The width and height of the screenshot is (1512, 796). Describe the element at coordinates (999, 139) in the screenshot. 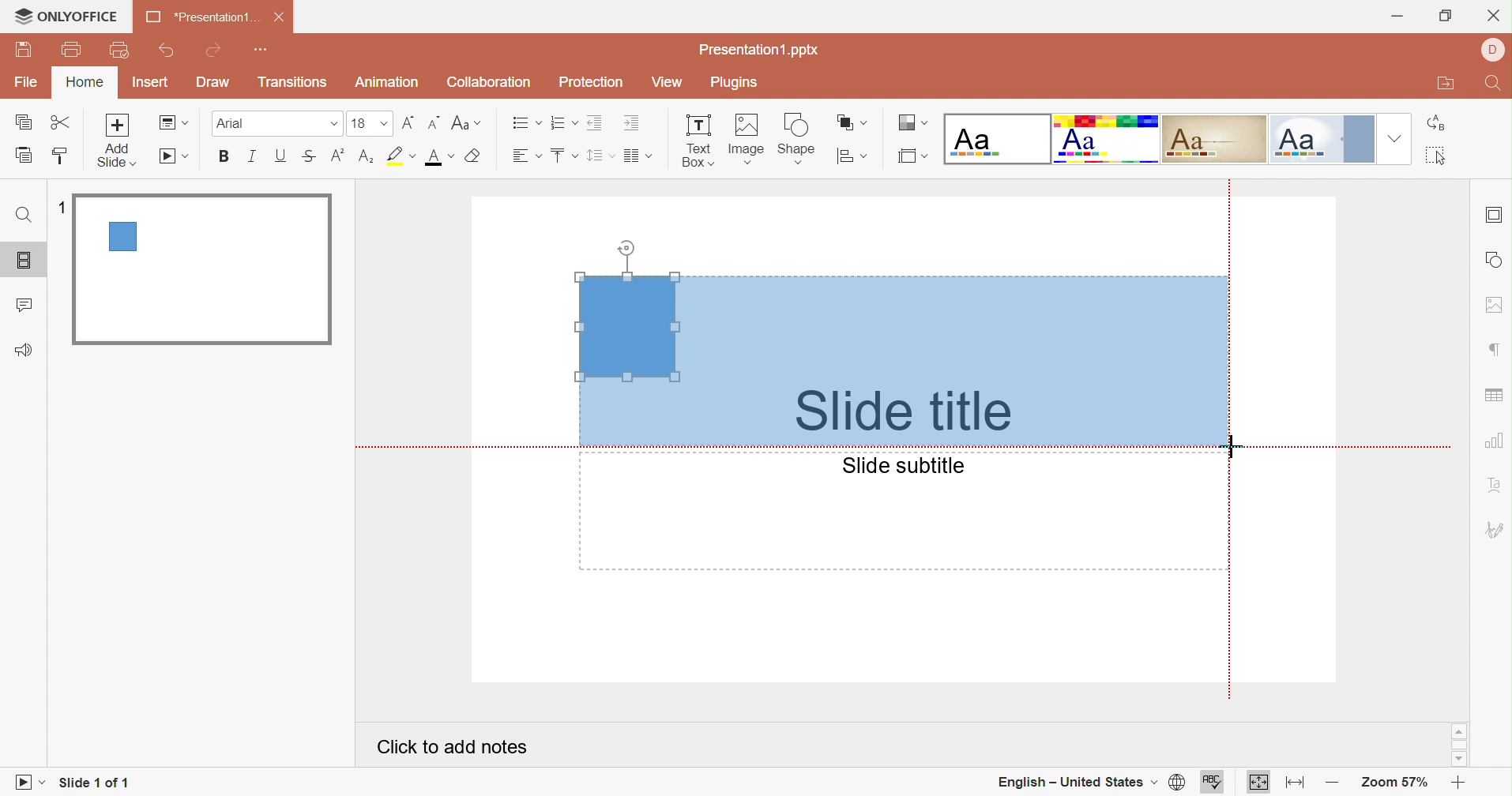

I see `Blank` at that location.